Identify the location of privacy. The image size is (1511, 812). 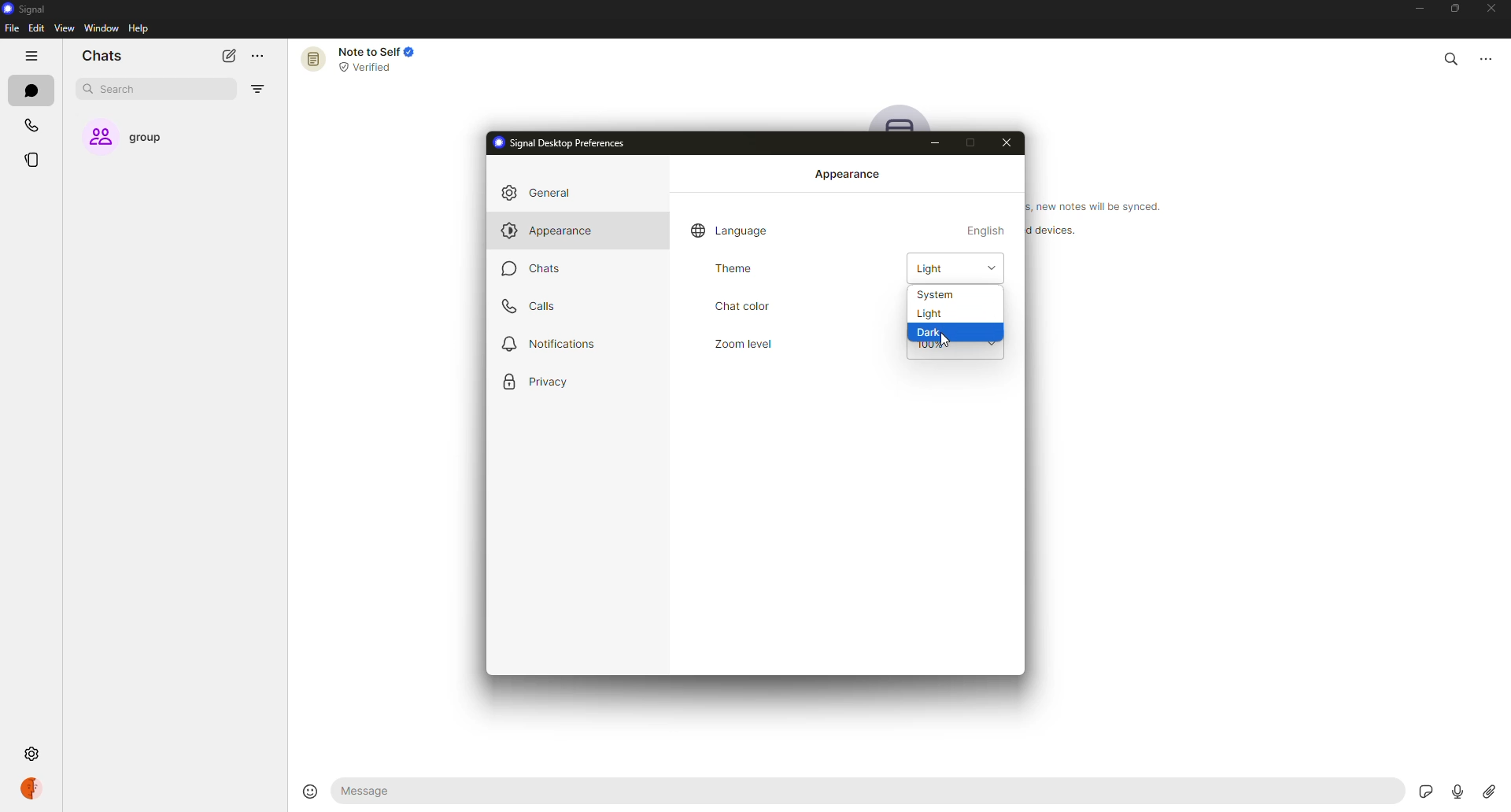
(539, 382).